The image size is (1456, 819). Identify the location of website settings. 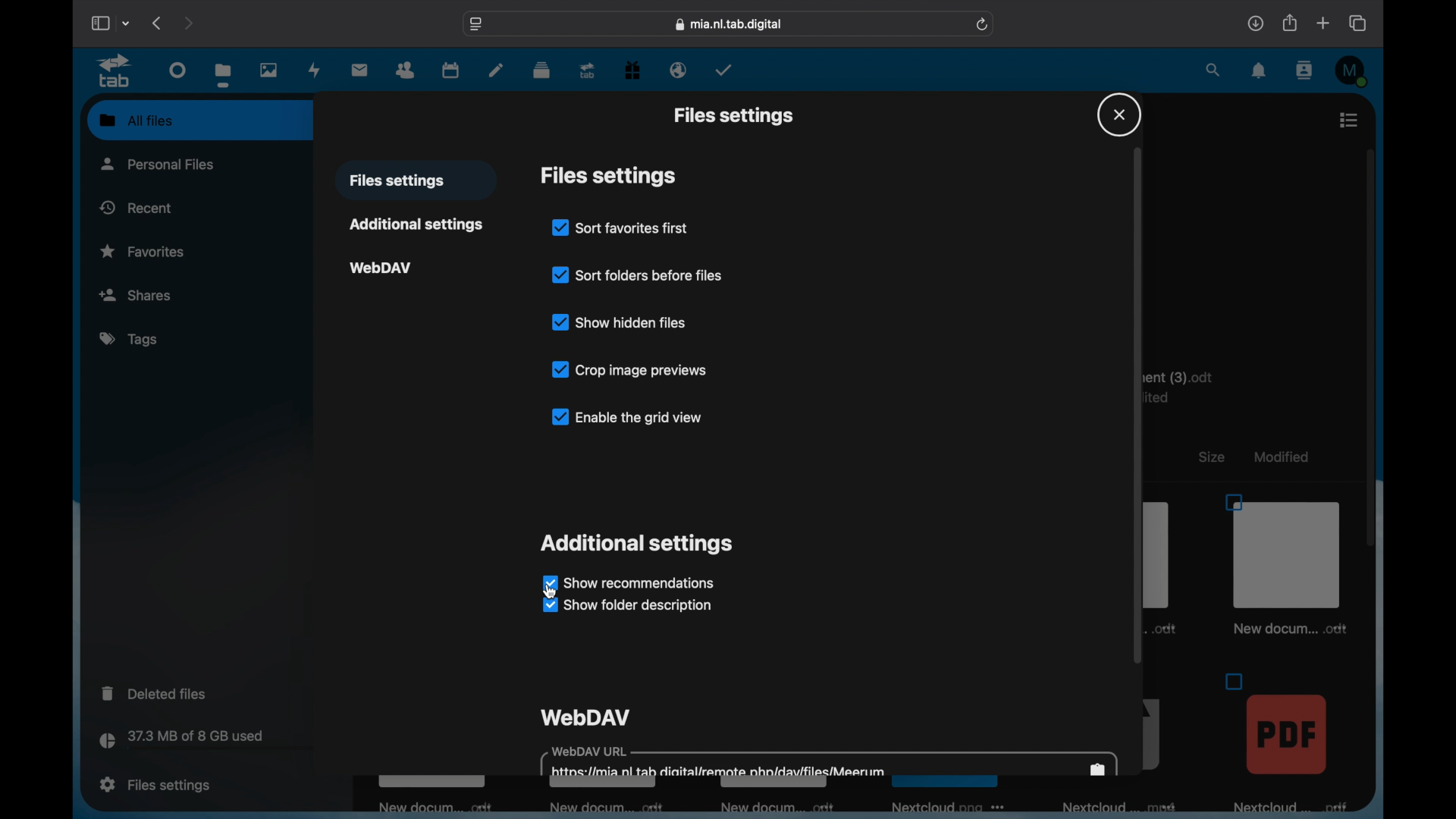
(476, 24).